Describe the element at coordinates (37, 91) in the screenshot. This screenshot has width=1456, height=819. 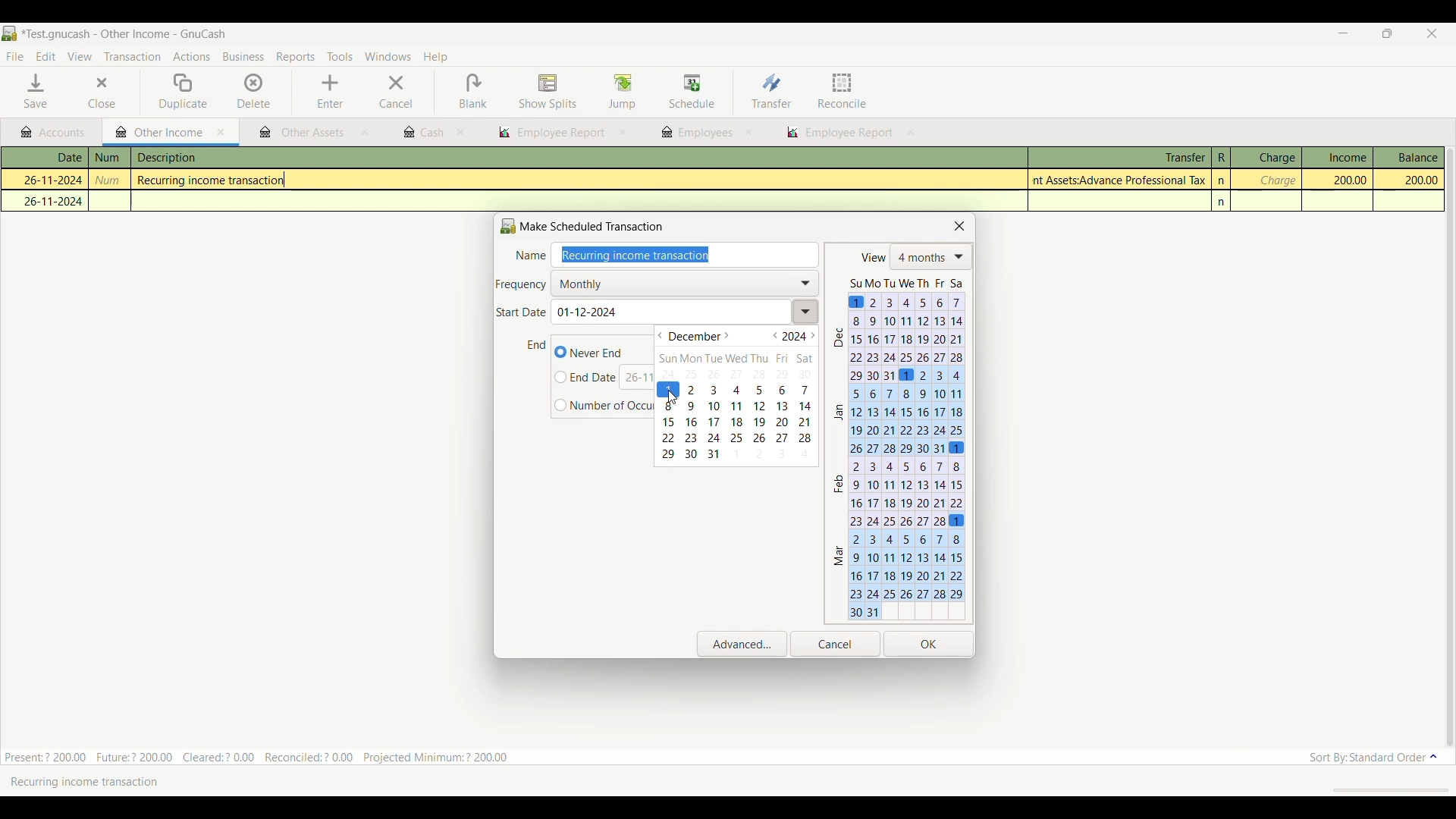
I see `Save menu` at that location.